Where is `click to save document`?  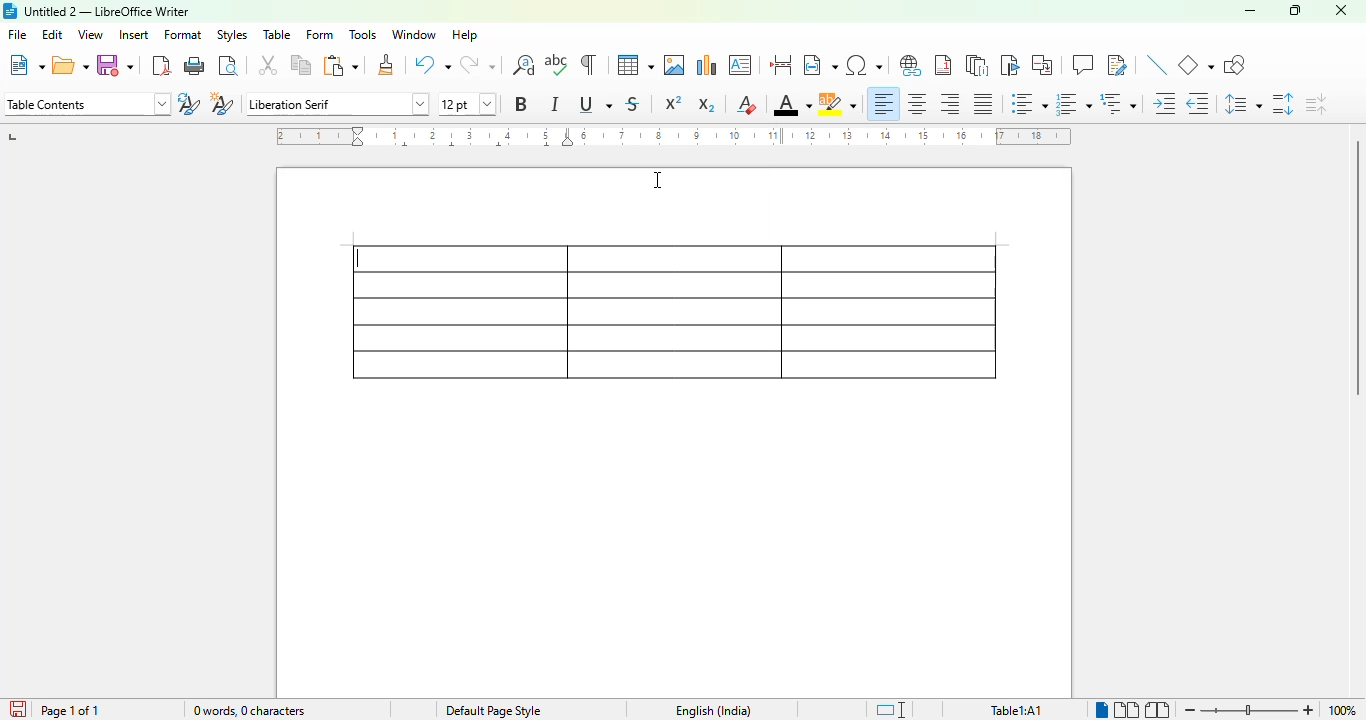 click to save document is located at coordinates (19, 708).